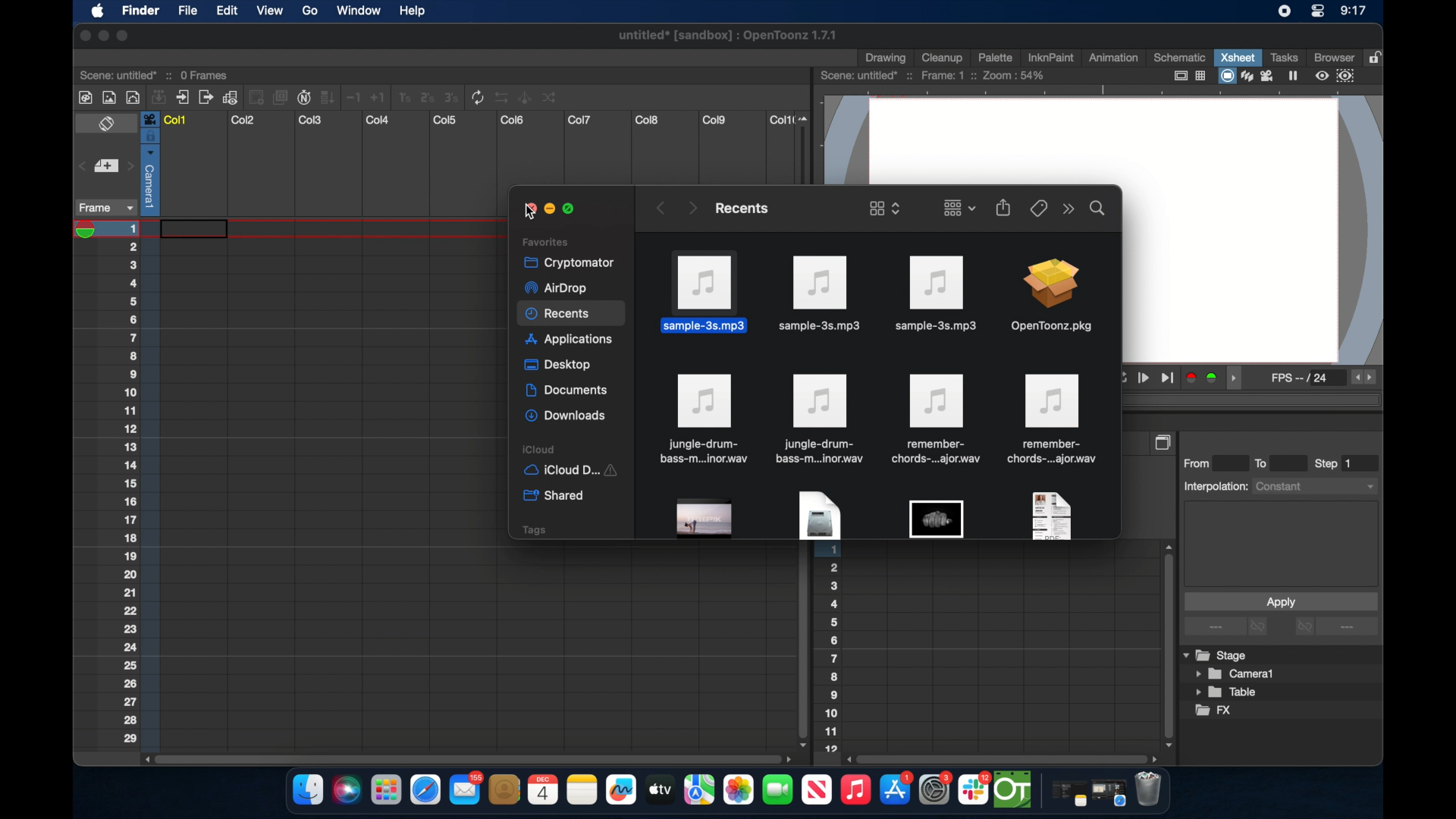  I want to click on notes, so click(1065, 795).